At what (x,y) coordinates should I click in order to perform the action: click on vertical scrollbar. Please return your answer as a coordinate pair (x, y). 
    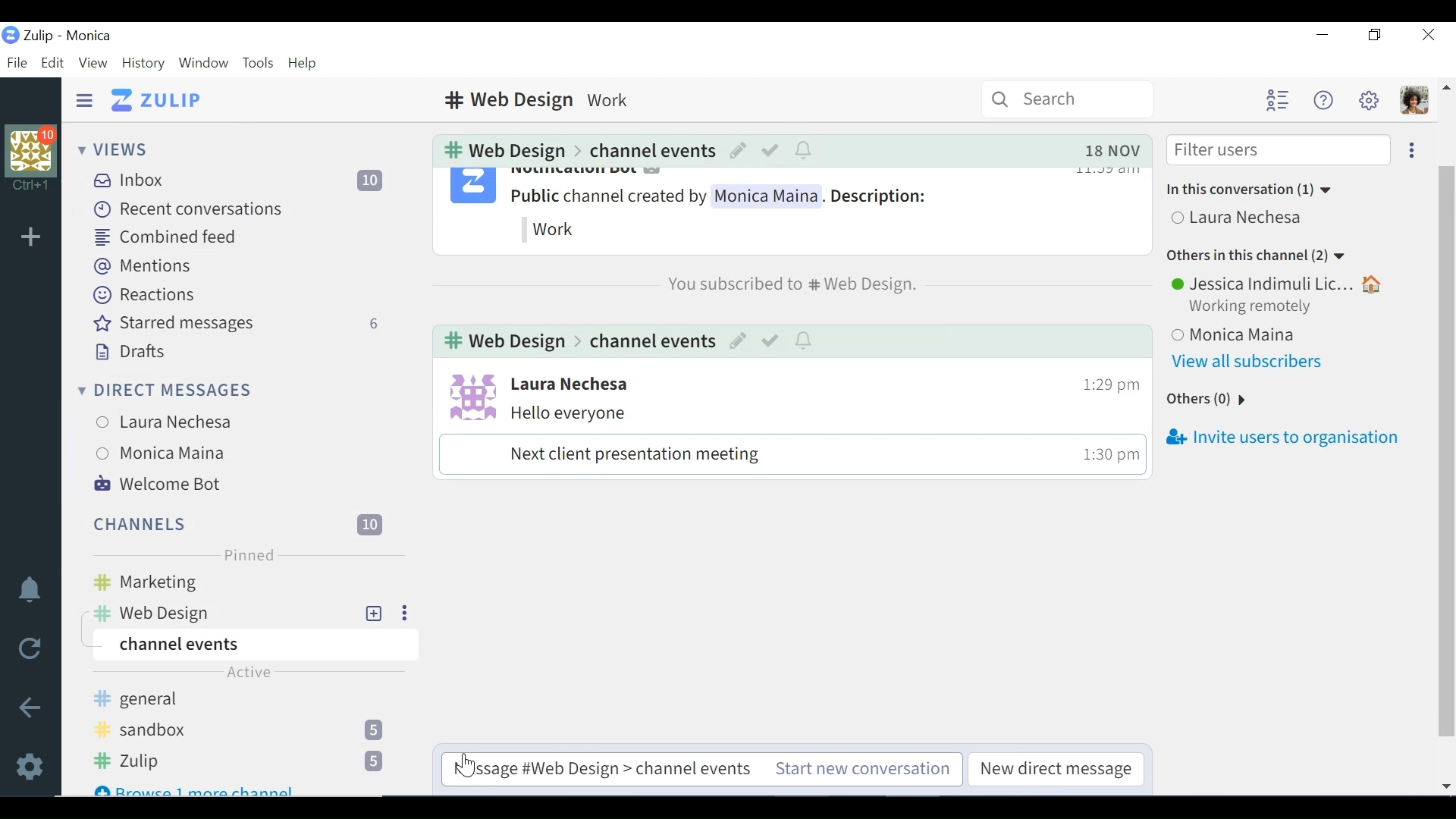
    Looking at the image, I should click on (1451, 438).